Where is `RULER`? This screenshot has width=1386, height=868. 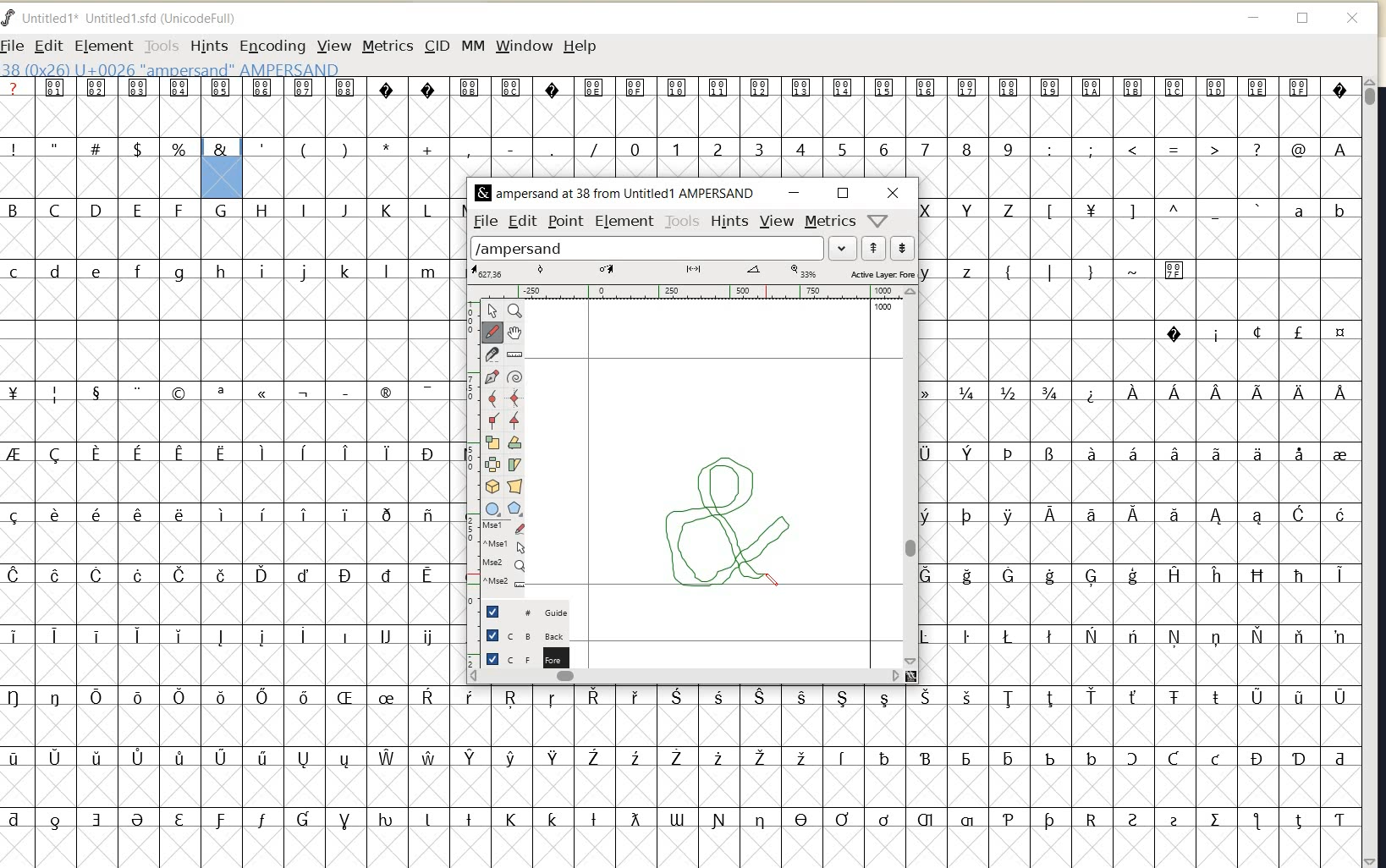
RULER is located at coordinates (688, 292).